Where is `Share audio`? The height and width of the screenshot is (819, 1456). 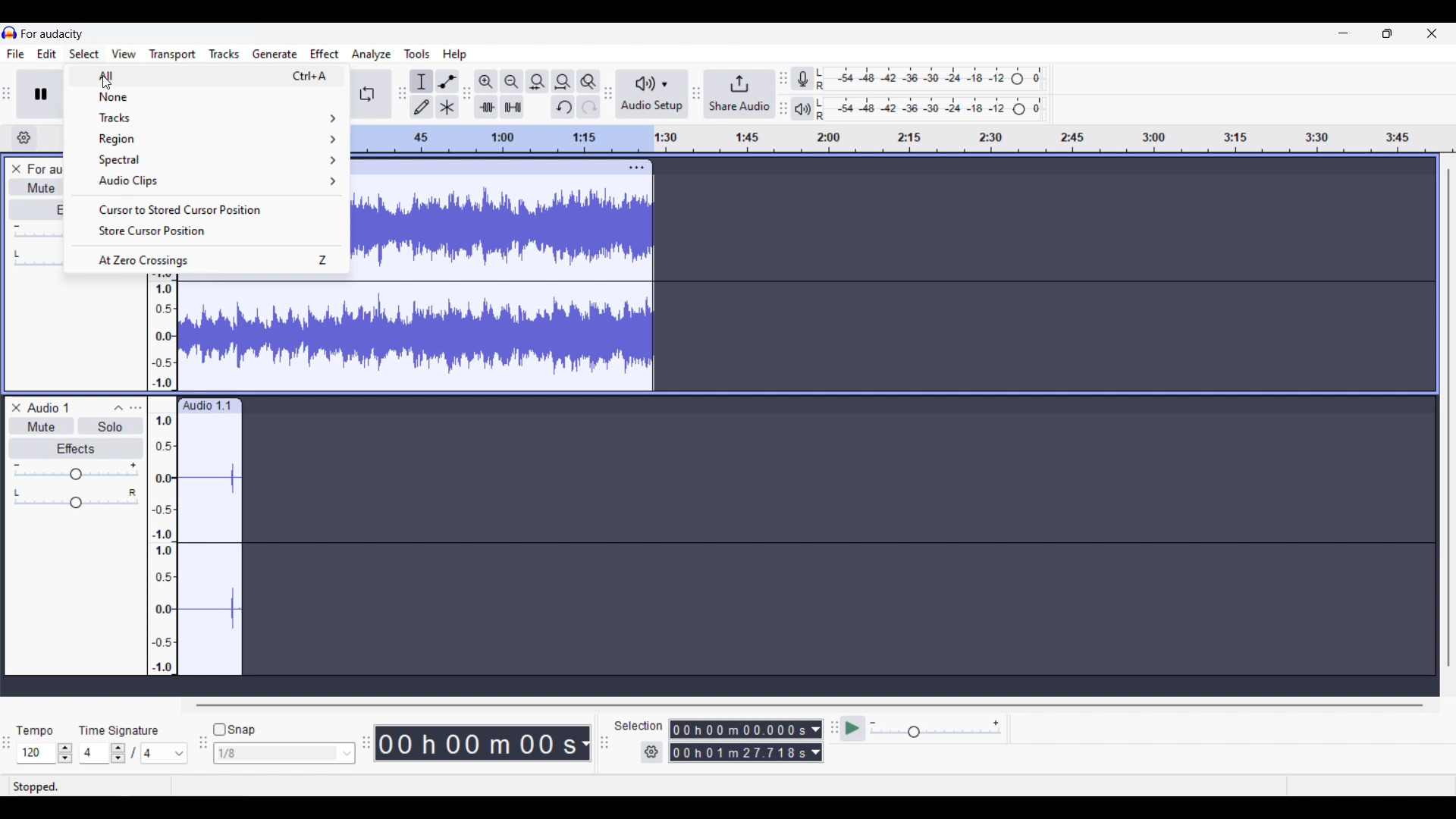 Share audio is located at coordinates (739, 94).